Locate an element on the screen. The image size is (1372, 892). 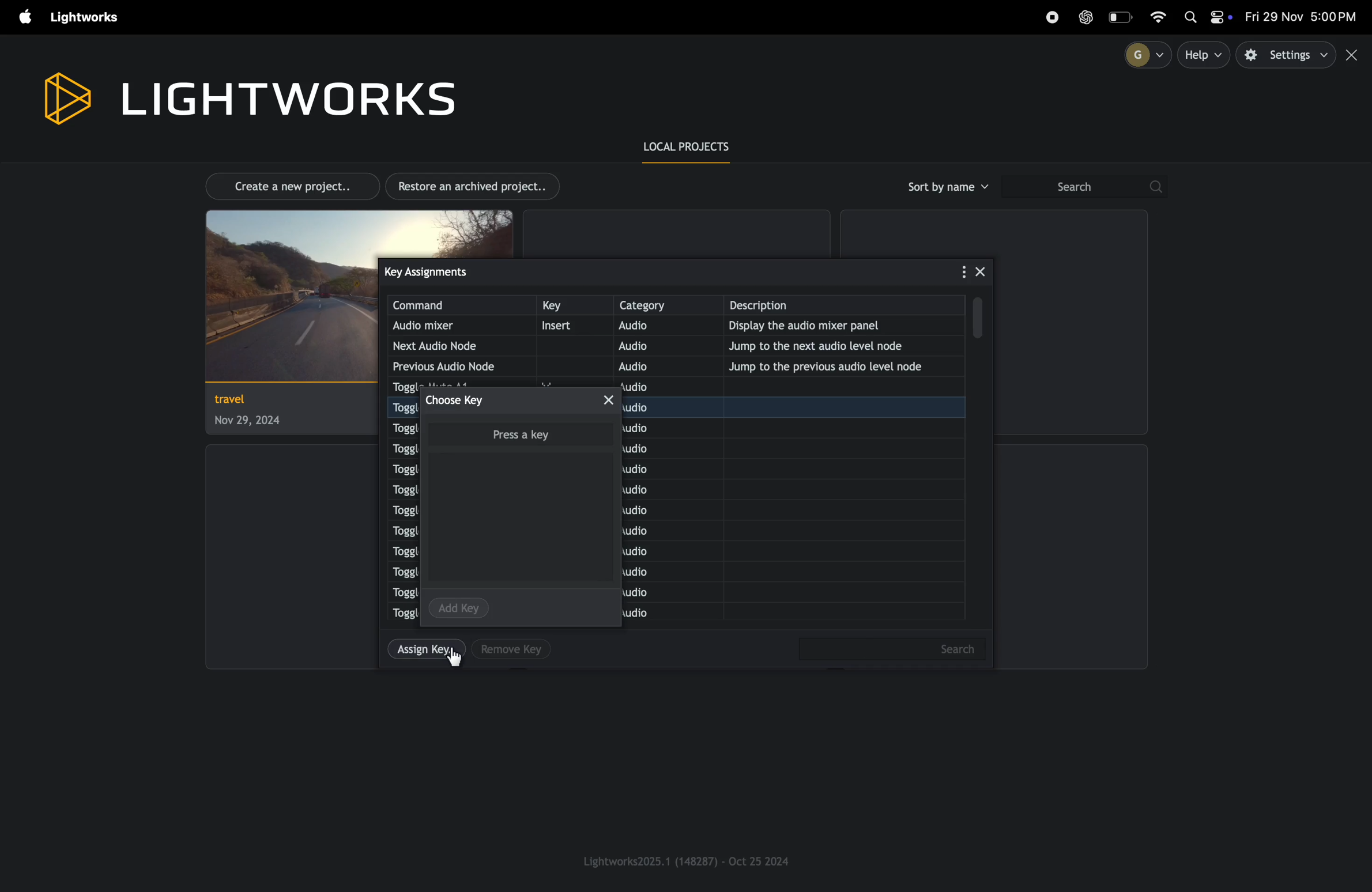
 is located at coordinates (888, 648).